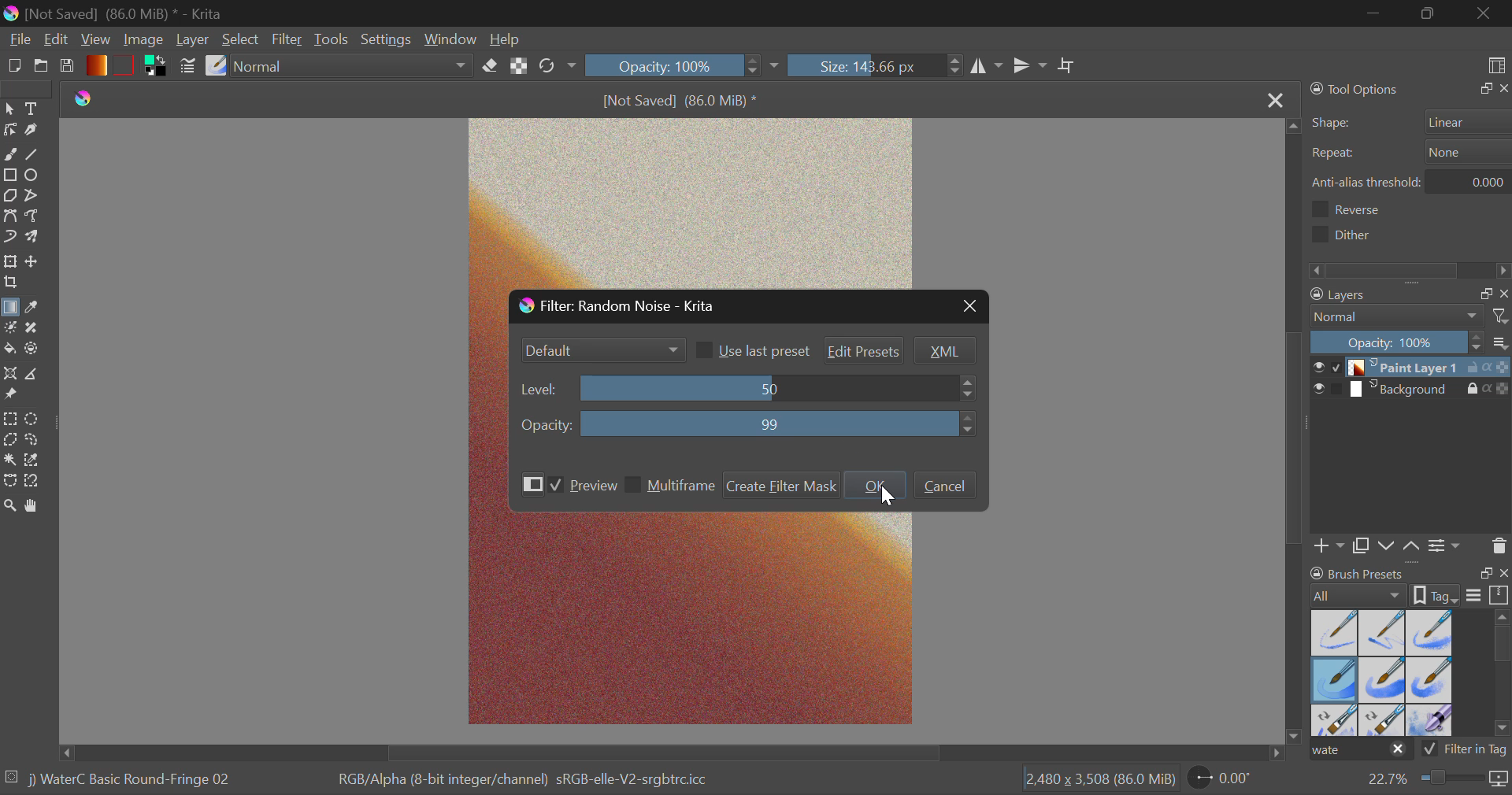 The image size is (1512, 795). Describe the element at coordinates (1360, 594) in the screenshot. I see `brush preset settings` at that location.